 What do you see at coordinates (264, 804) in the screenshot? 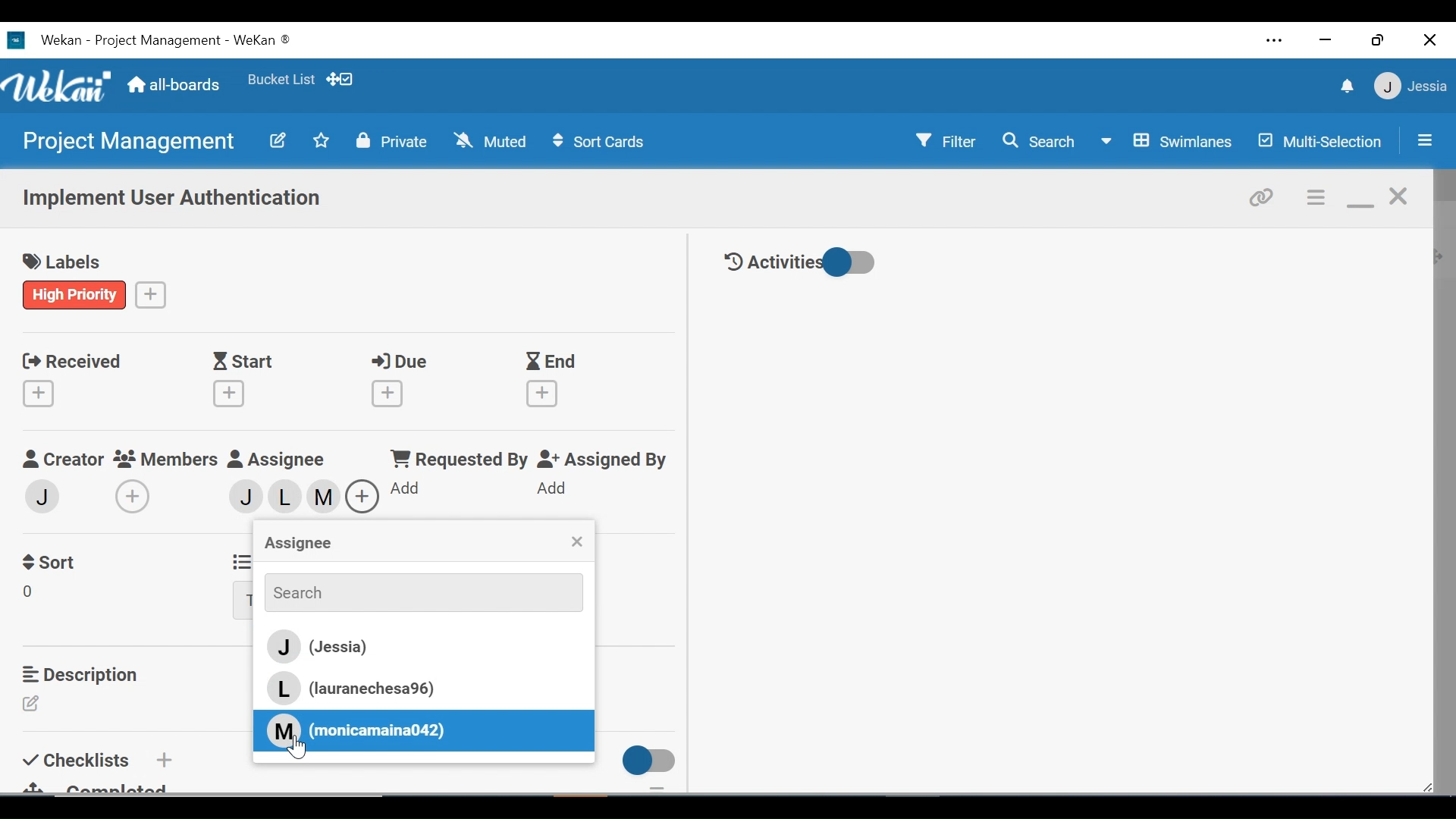
I see `horizontal scroll bar` at bounding box center [264, 804].